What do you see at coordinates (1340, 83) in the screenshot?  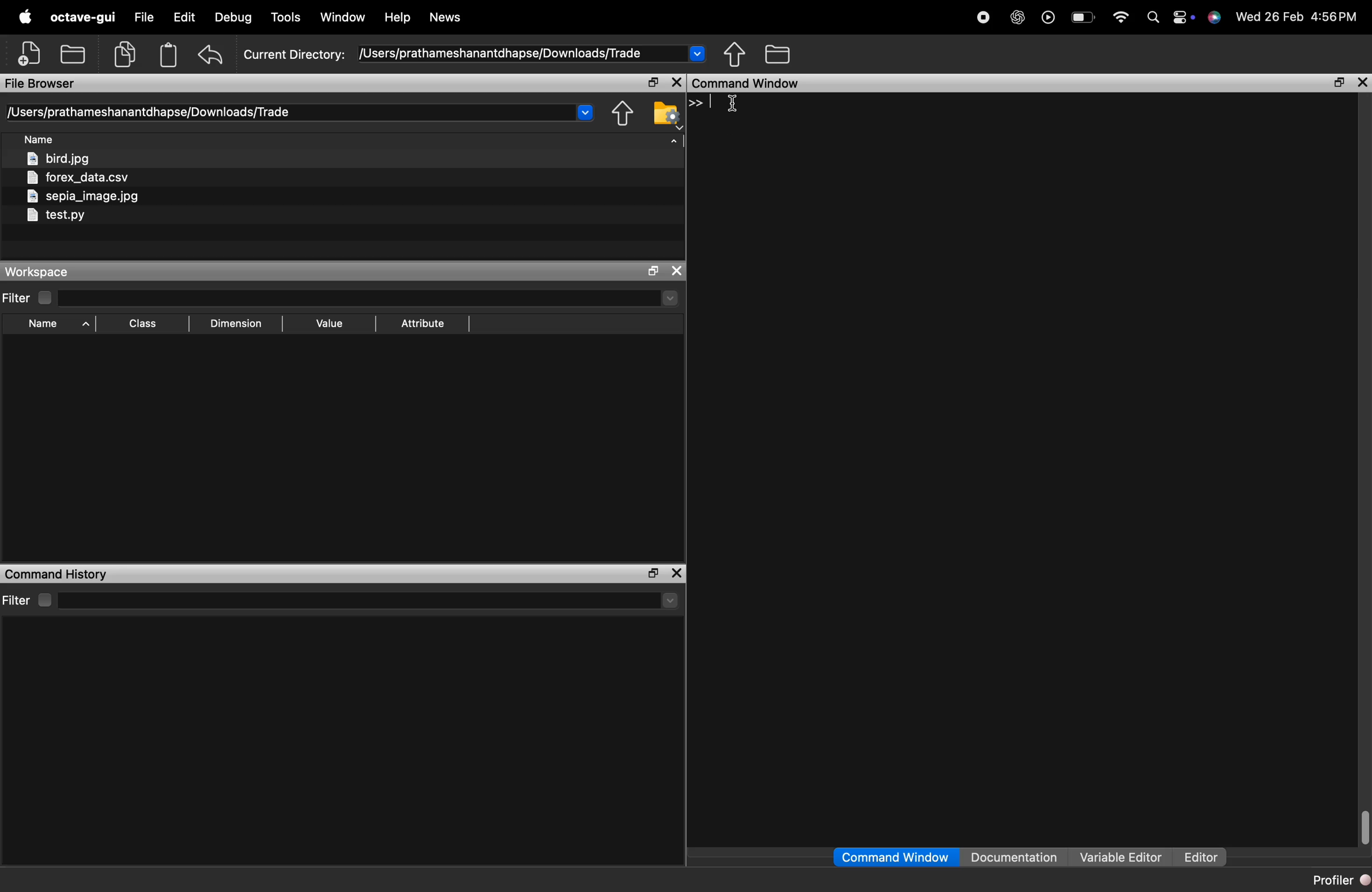 I see `separate the window` at bounding box center [1340, 83].